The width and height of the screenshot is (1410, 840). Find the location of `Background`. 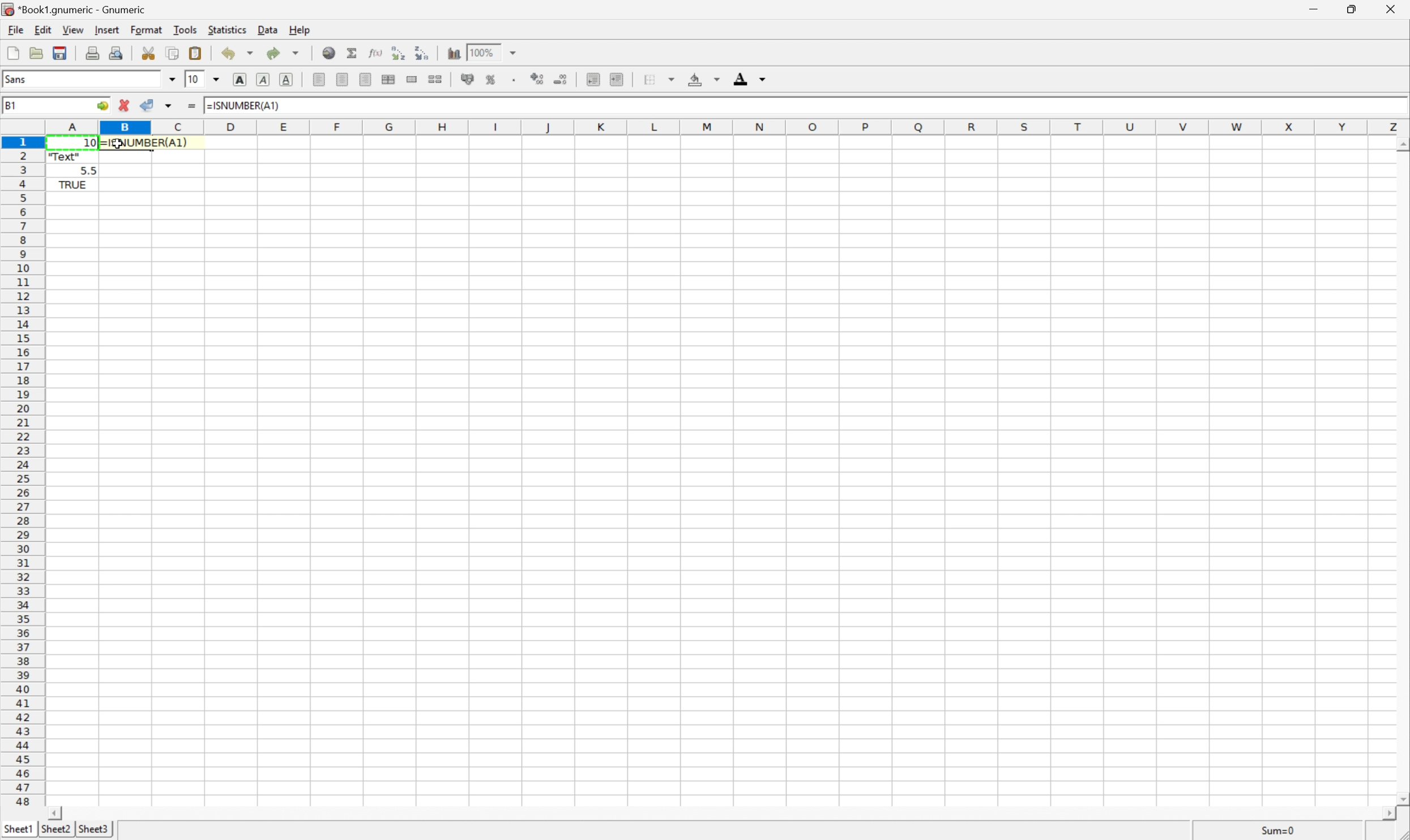

Background is located at coordinates (703, 78).